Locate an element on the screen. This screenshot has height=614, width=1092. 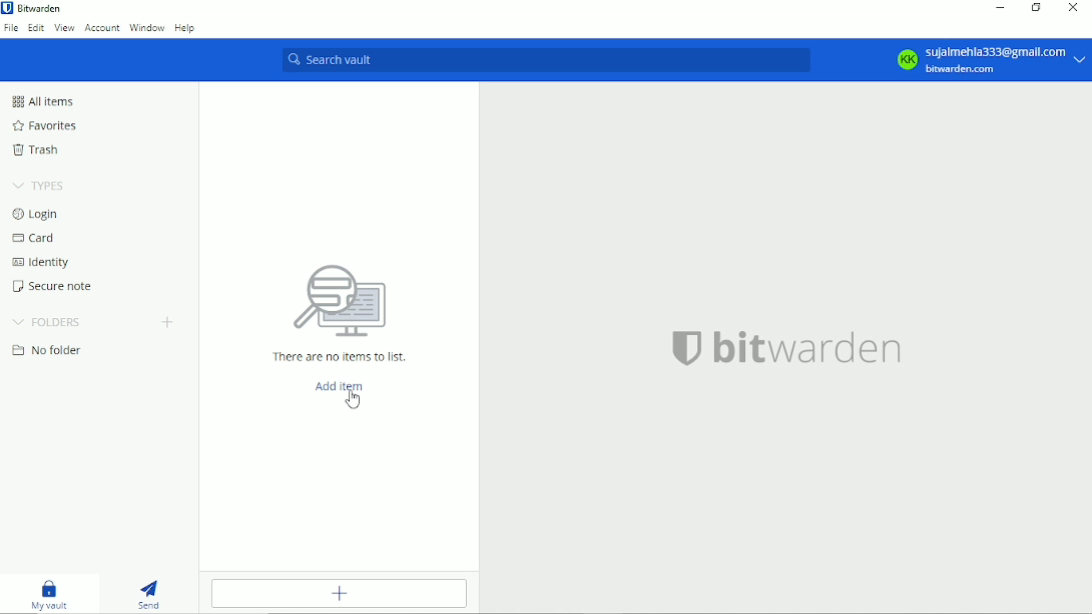
There are no items to list. is located at coordinates (341, 310).